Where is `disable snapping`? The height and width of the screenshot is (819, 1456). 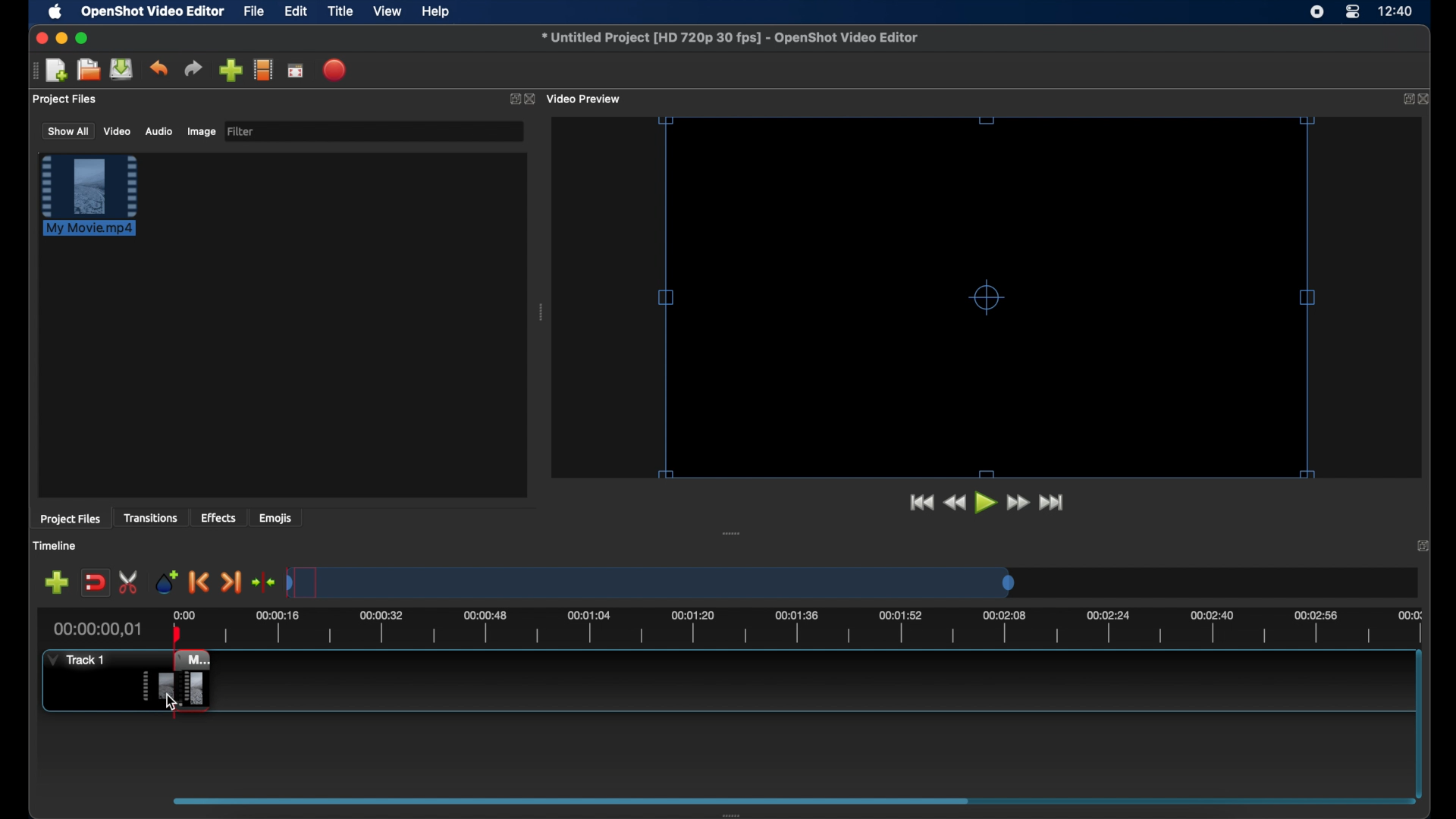
disable snapping is located at coordinates (95, 583).